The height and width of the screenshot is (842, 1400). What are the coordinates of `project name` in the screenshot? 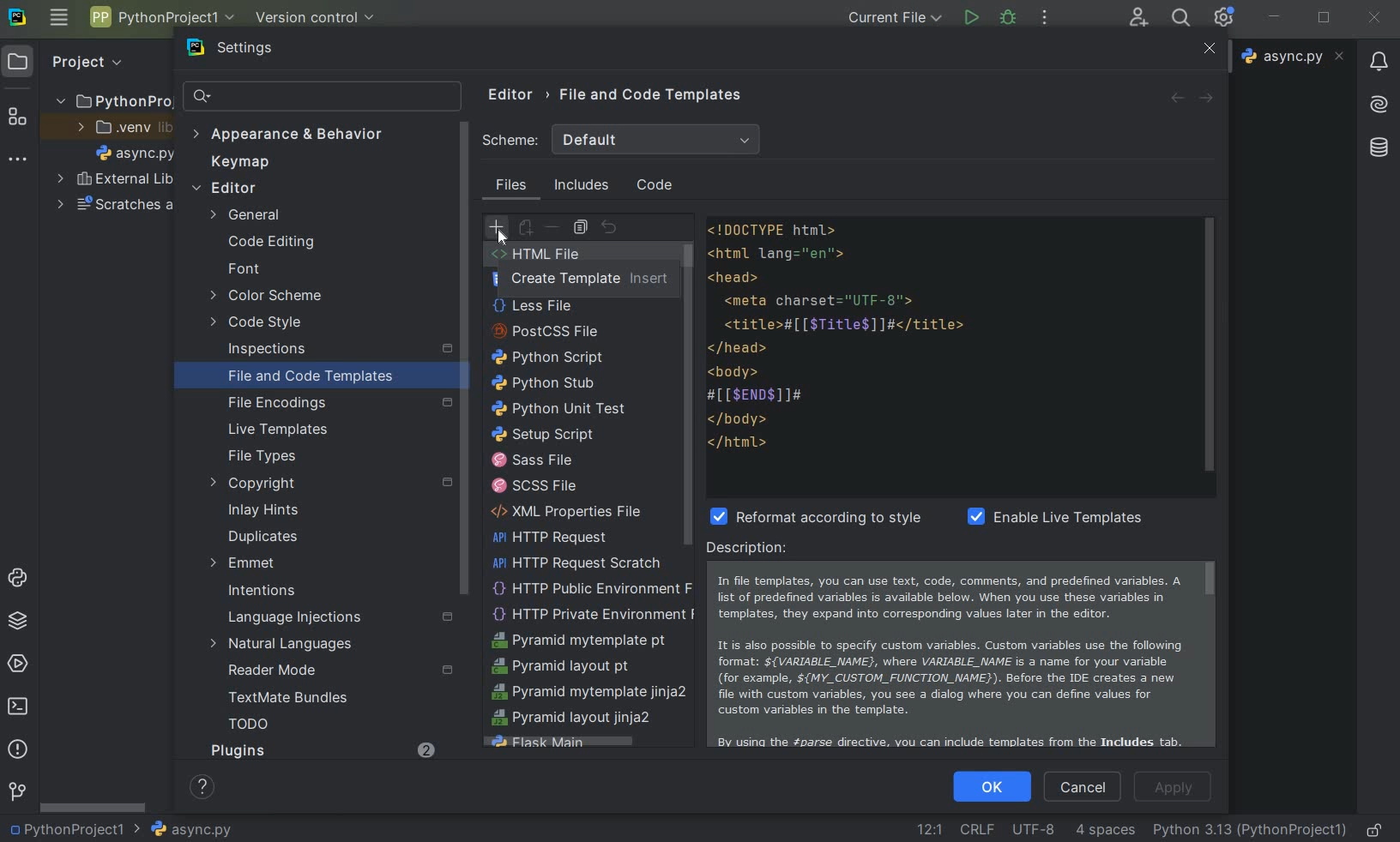 It's located at (114, 99).